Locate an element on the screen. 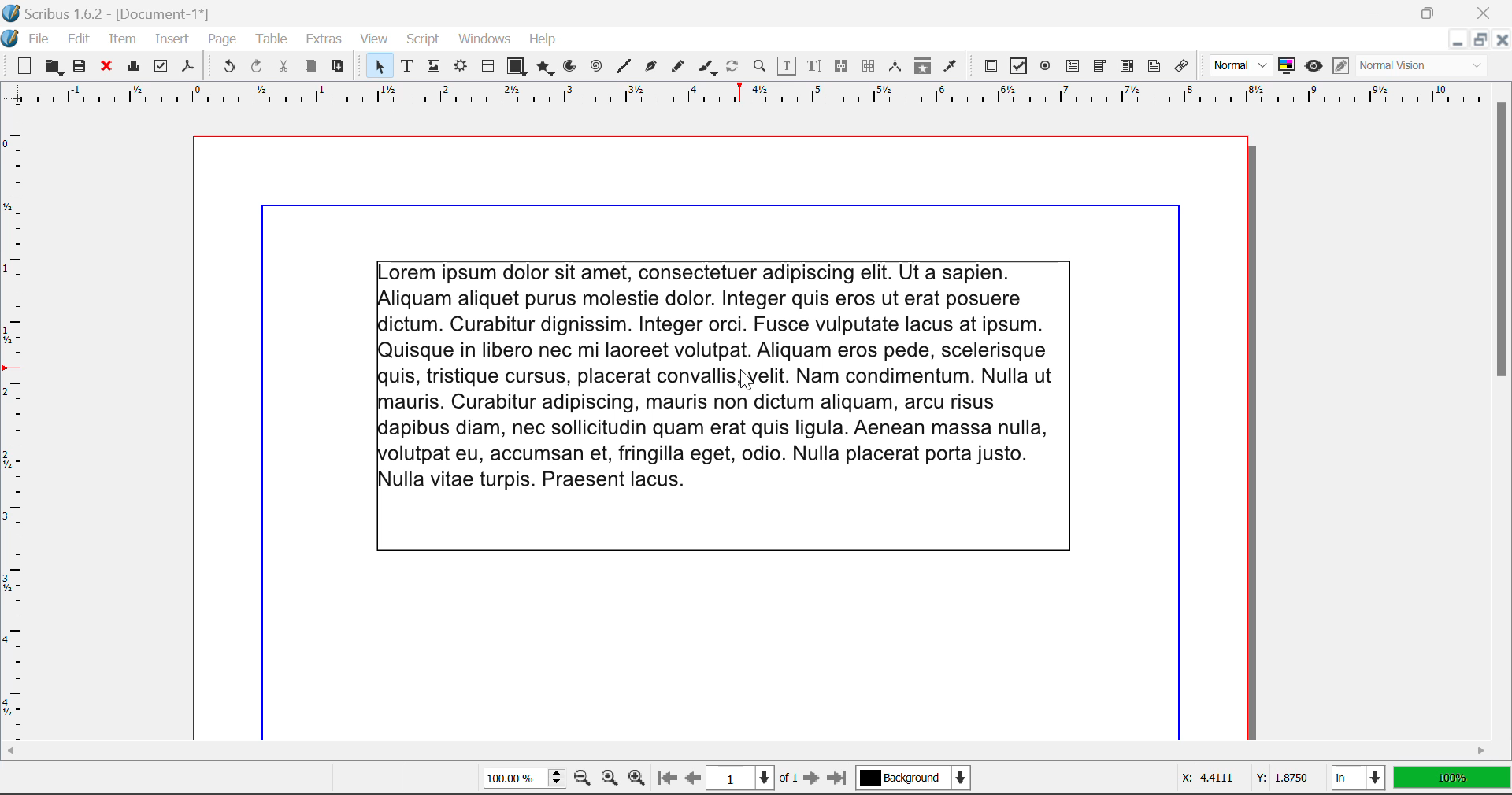  Insert is located at coordinates (170, 42).